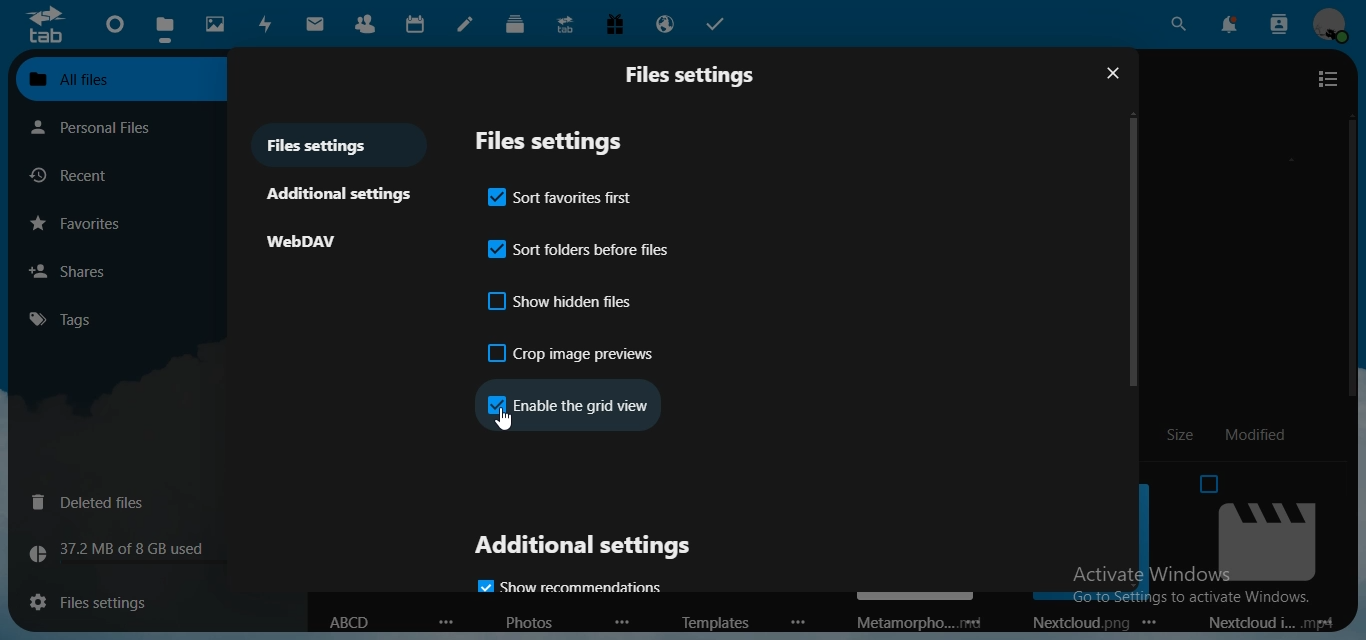 Image resolution: width=1366 pixels, height=640 pixels. I want to click on manage profile, so click(1331, 27).